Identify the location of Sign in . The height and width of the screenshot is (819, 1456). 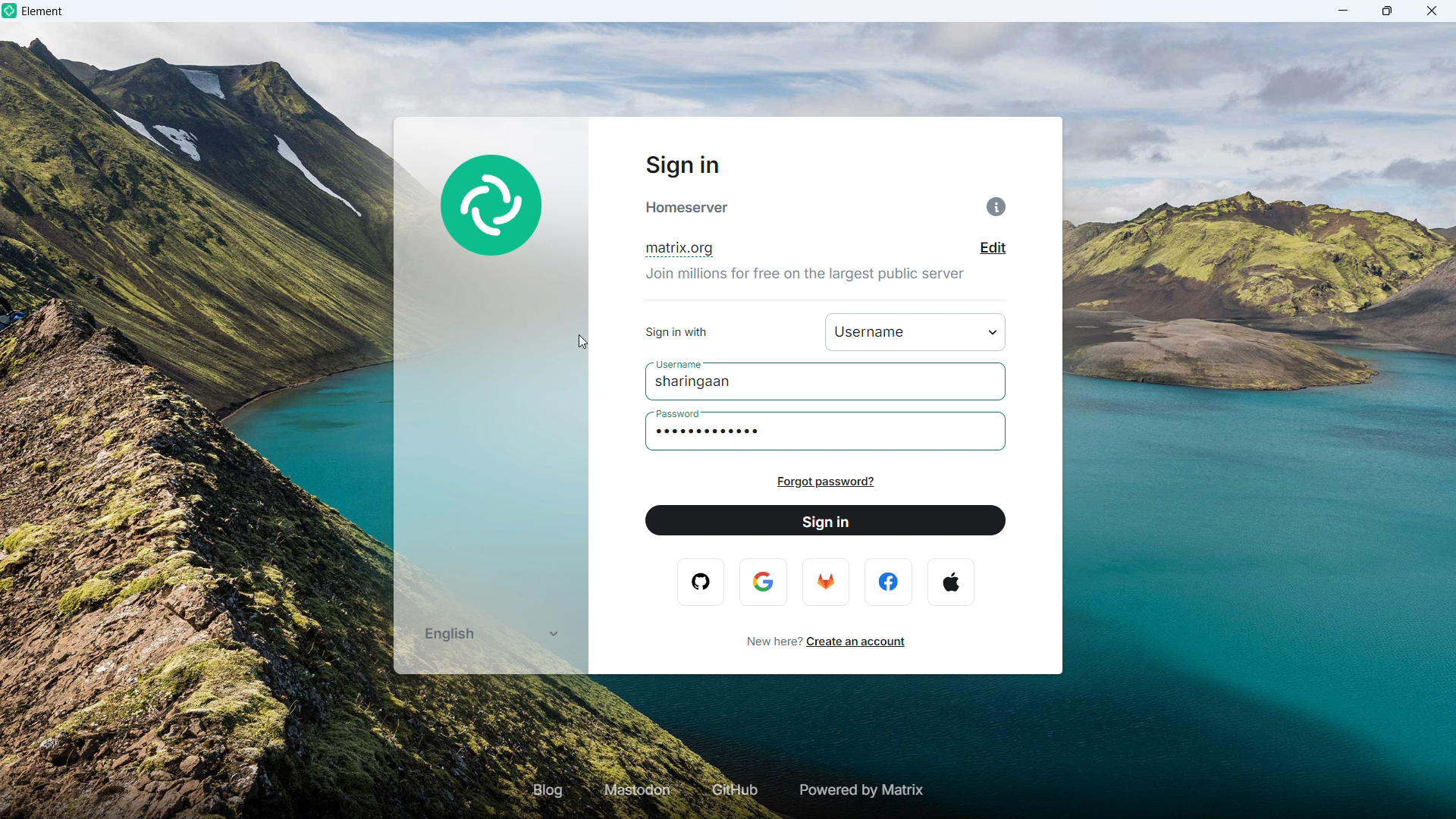
(826, 521).